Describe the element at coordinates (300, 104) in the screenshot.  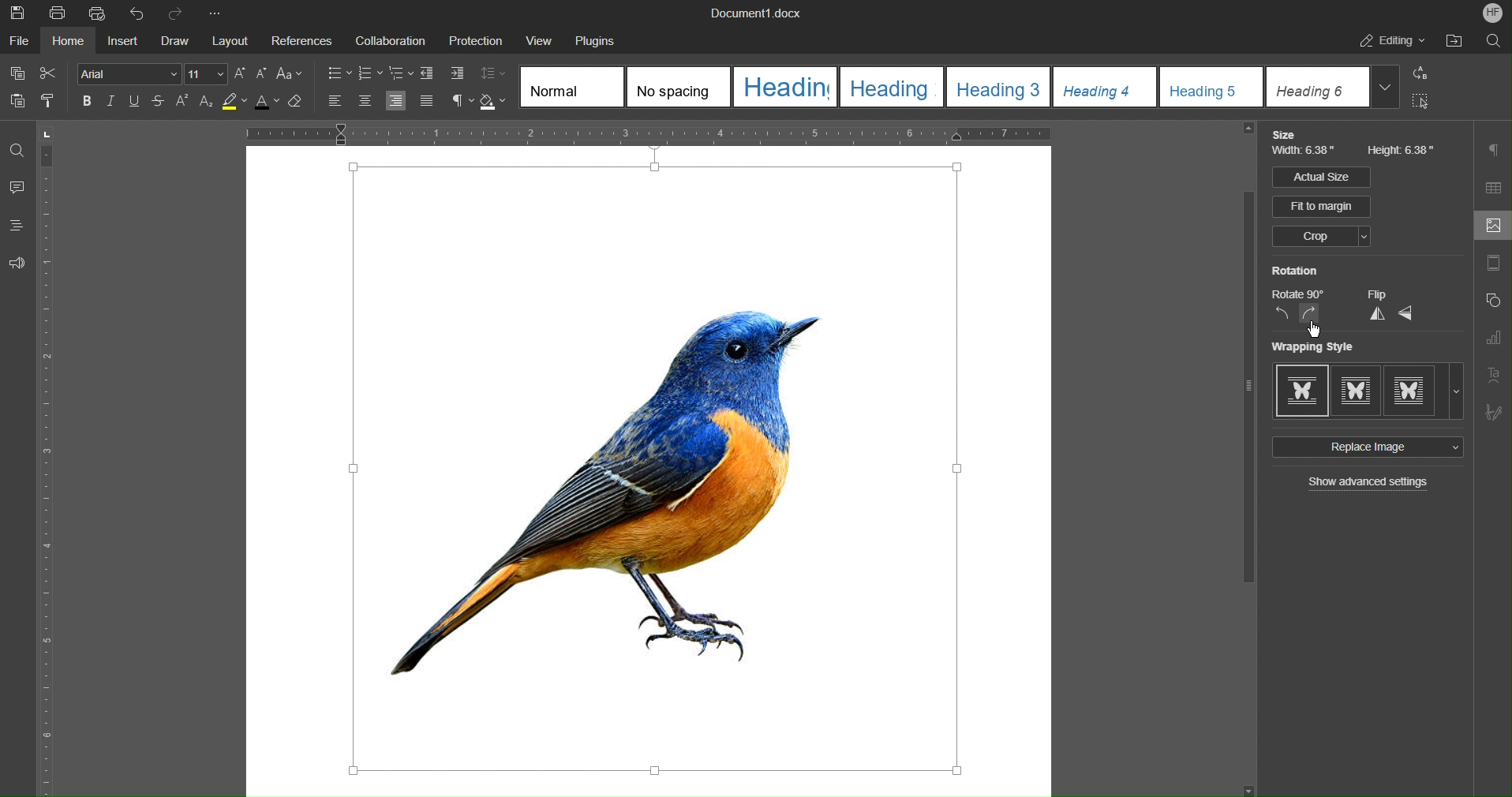
I see `Clear Style` at that location.